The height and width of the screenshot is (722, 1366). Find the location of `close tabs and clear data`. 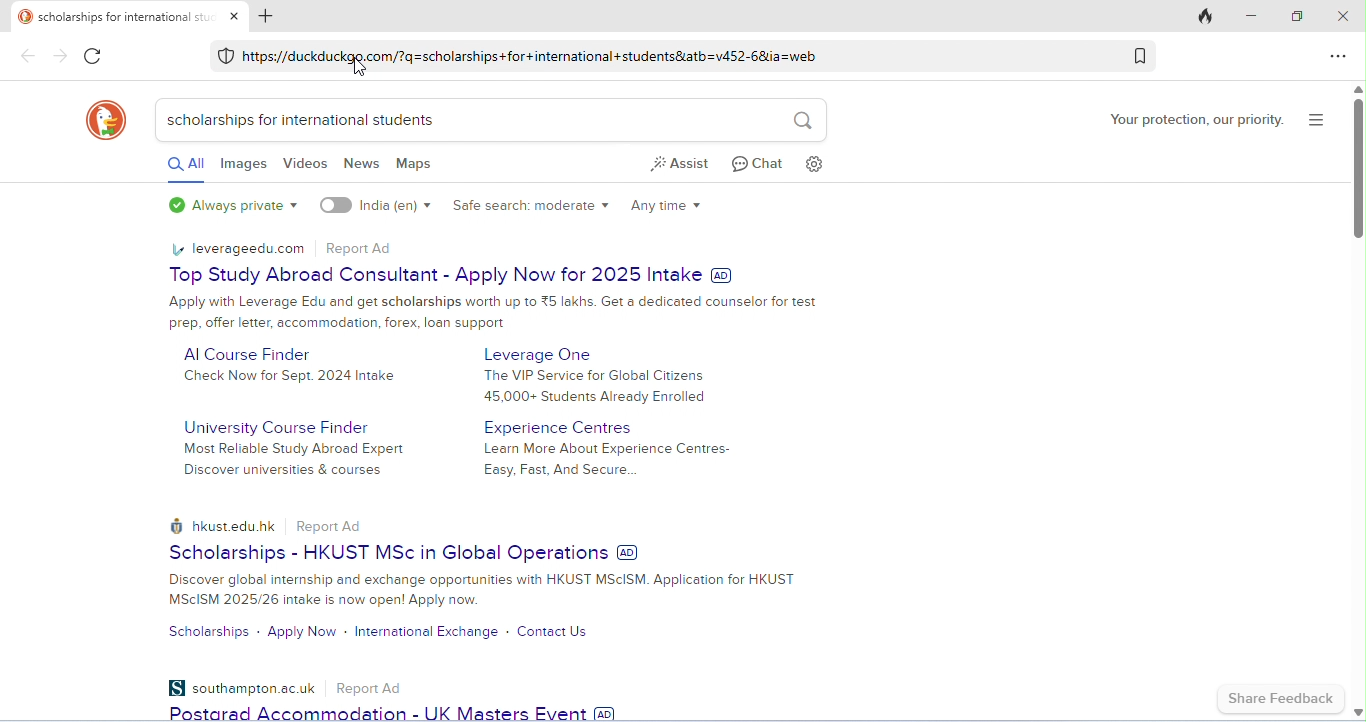

close tabs and clear data is located at coordinates (1204, 17).